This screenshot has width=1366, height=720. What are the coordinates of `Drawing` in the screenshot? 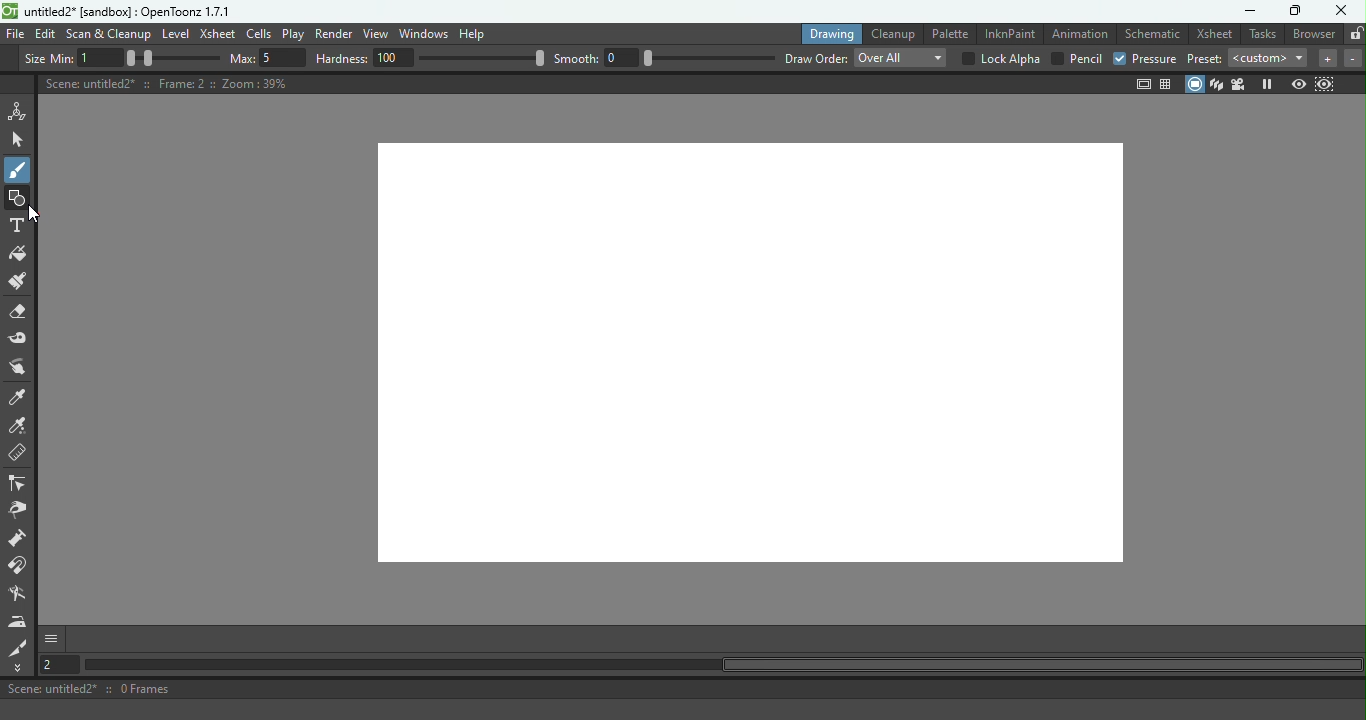 It's located at (828, 33).